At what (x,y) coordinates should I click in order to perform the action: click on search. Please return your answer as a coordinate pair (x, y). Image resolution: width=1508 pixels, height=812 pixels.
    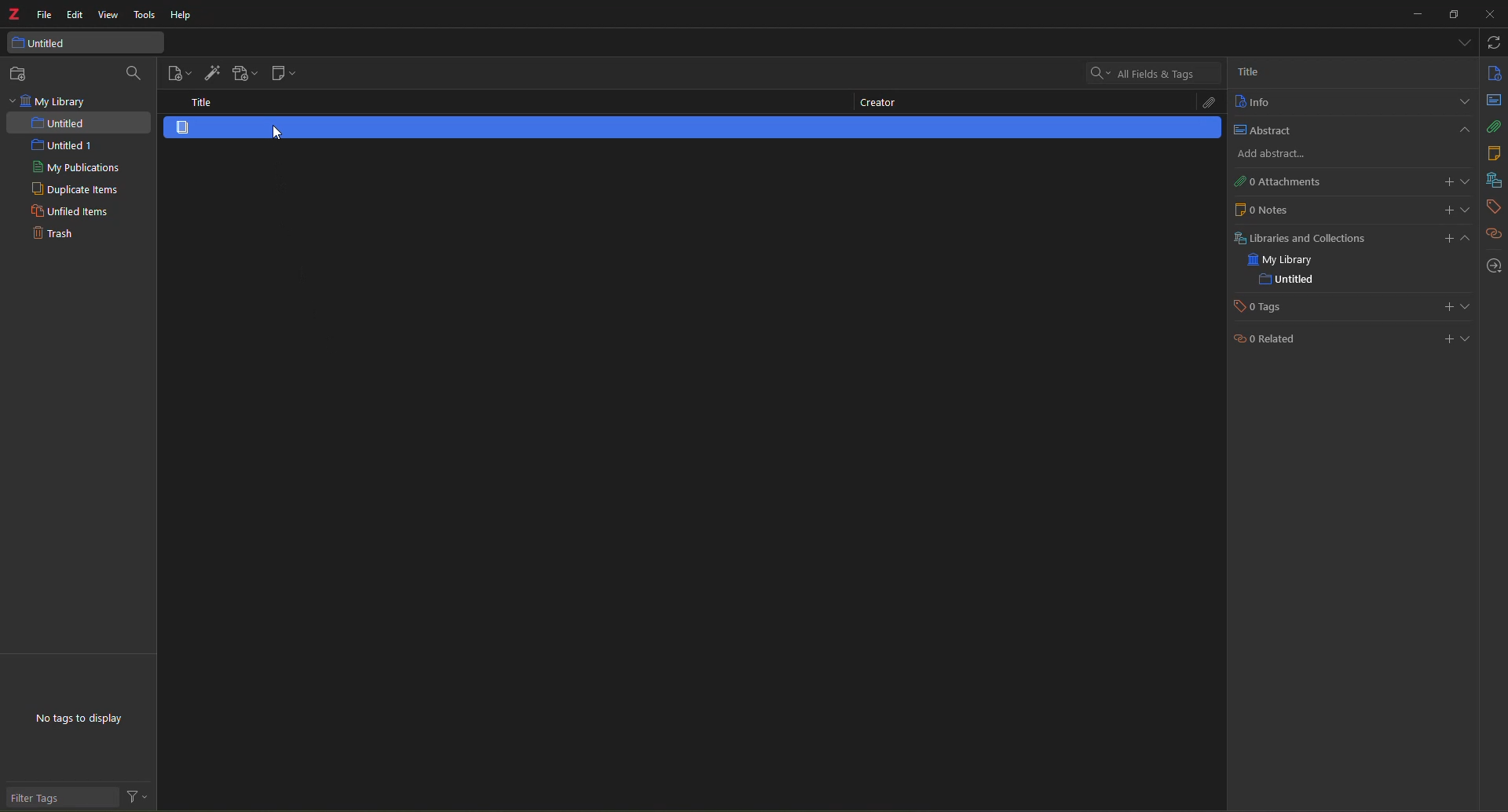
    Looking at the image, I should click on (135, 73).